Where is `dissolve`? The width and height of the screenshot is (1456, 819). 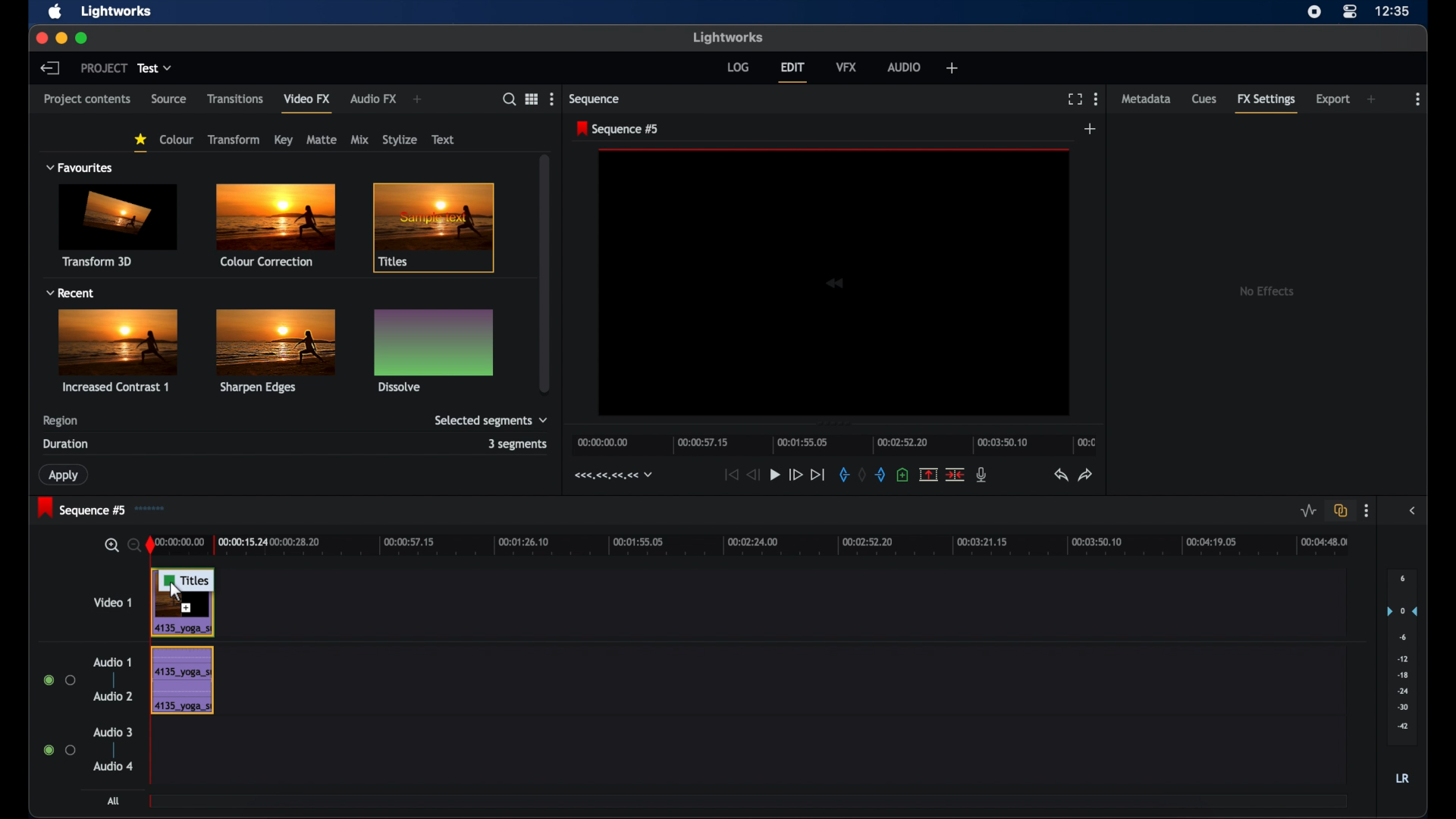 dissolve is located at coordinates (434, 350).